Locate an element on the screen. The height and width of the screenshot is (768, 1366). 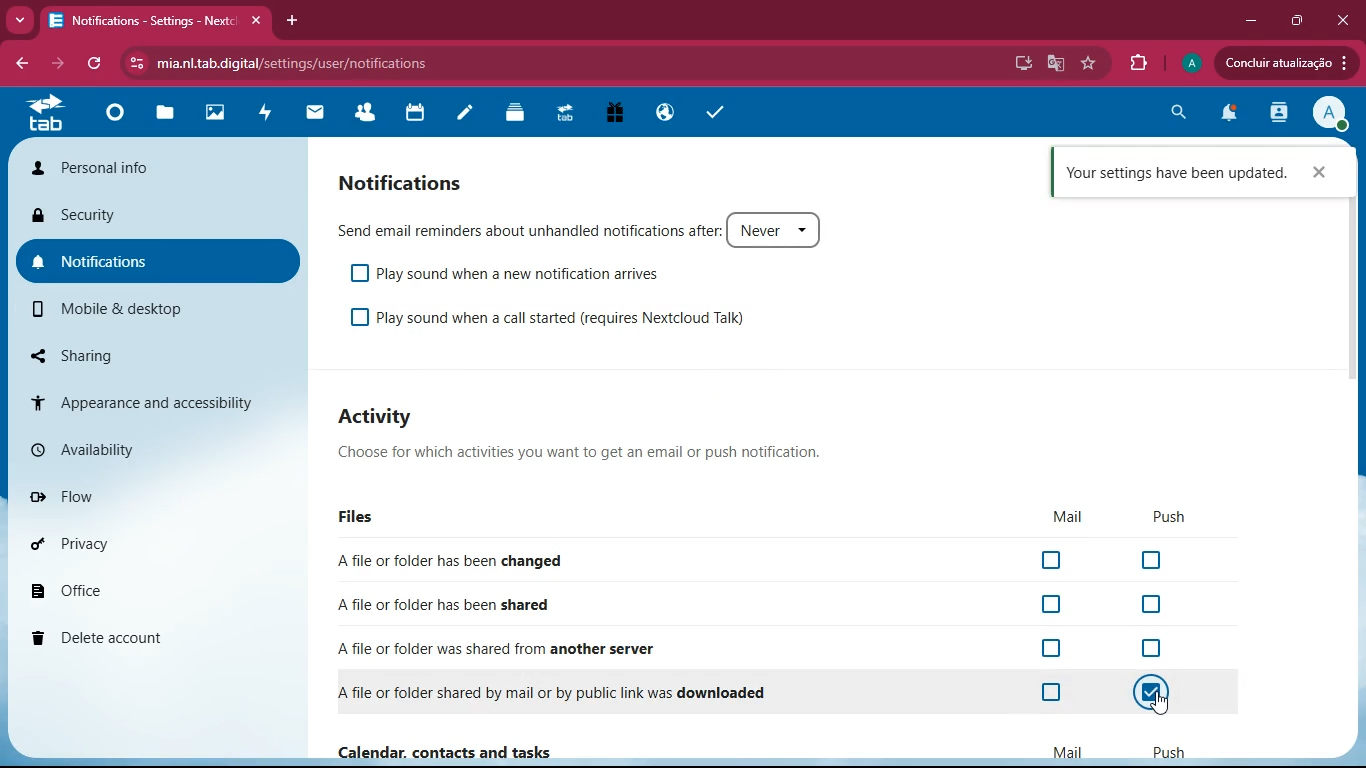
A file or folder has been shared is located at coordinates (448, 603).